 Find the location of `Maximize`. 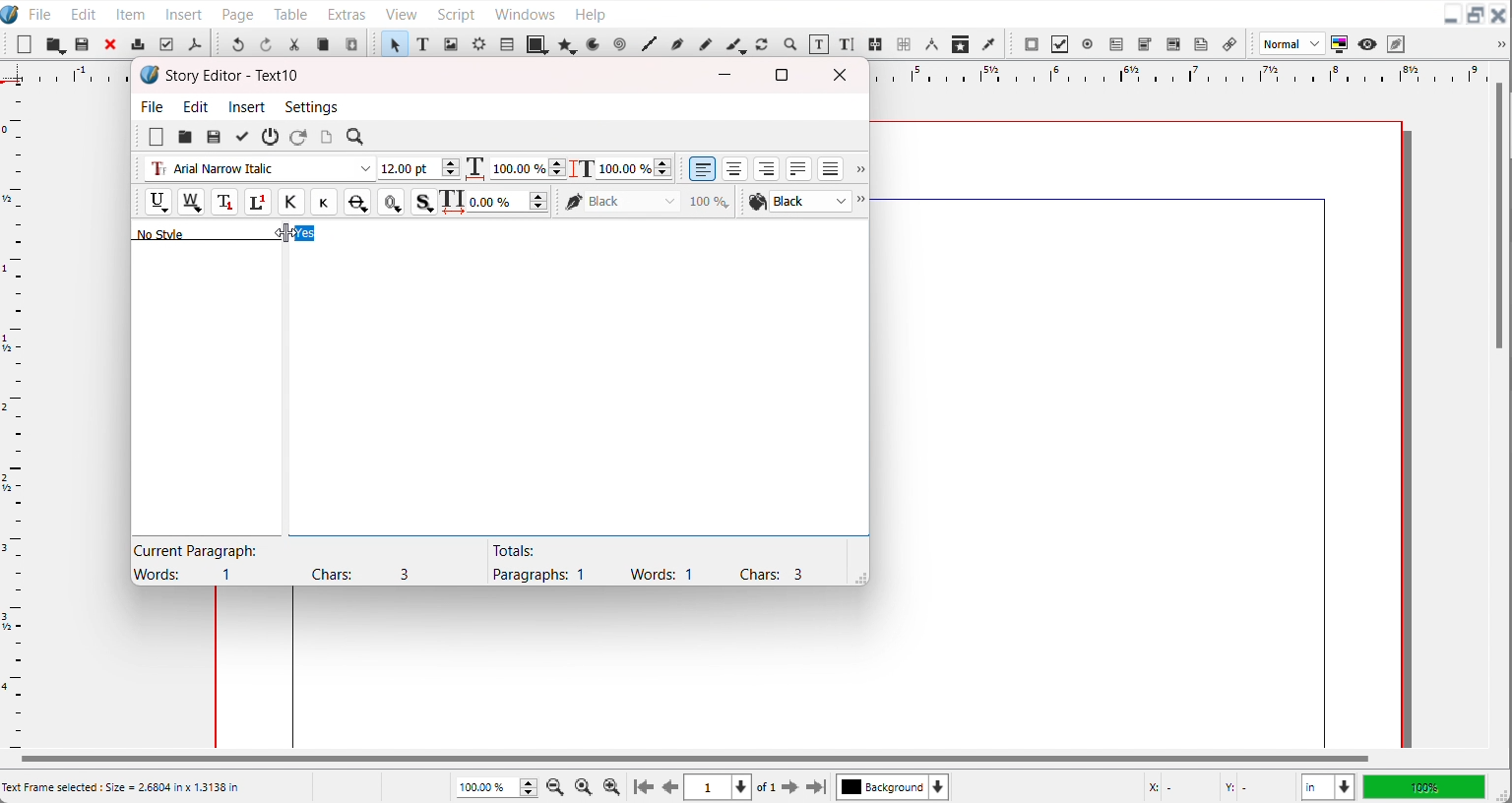

Maximize is located at coordinates (782, 74).